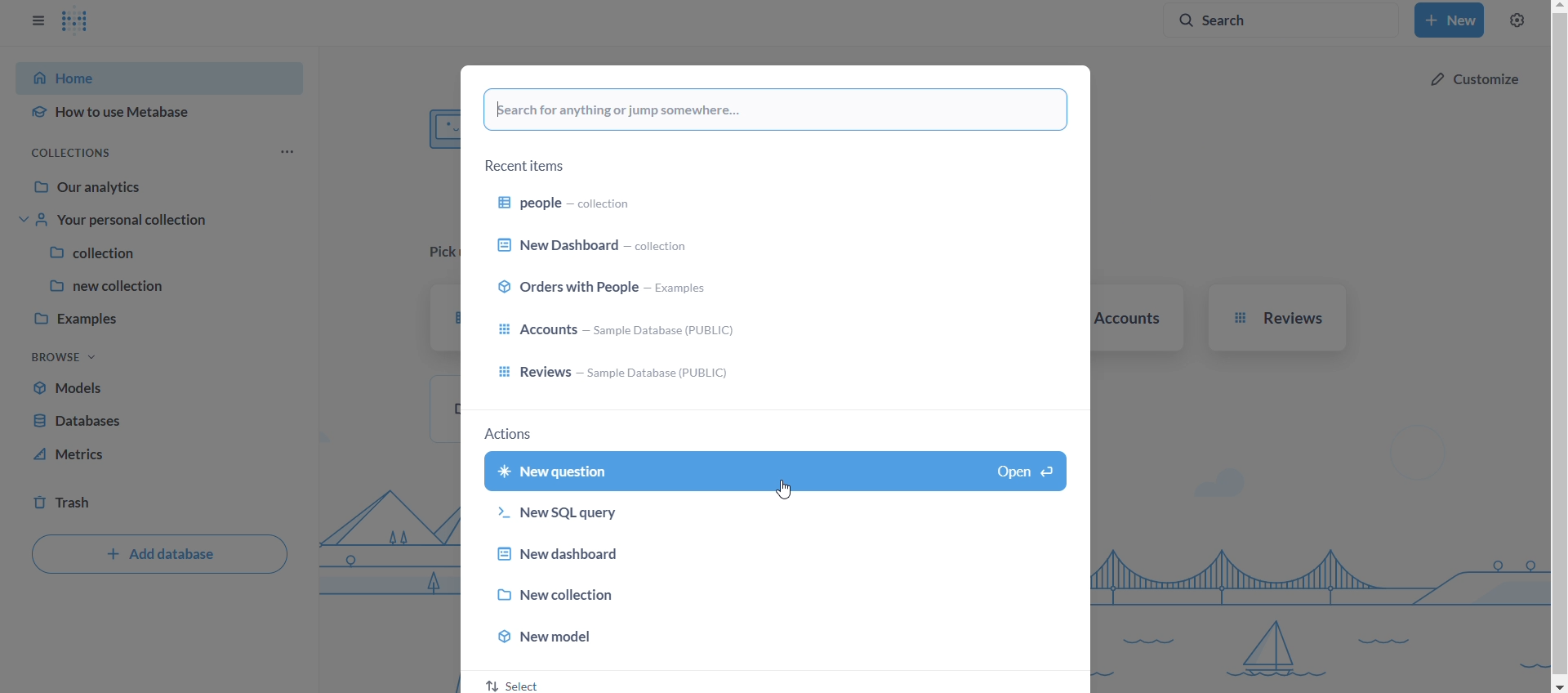  Describe the element at coordinates (163, 221) in the screenshot. I see `your personal collection` at that location.